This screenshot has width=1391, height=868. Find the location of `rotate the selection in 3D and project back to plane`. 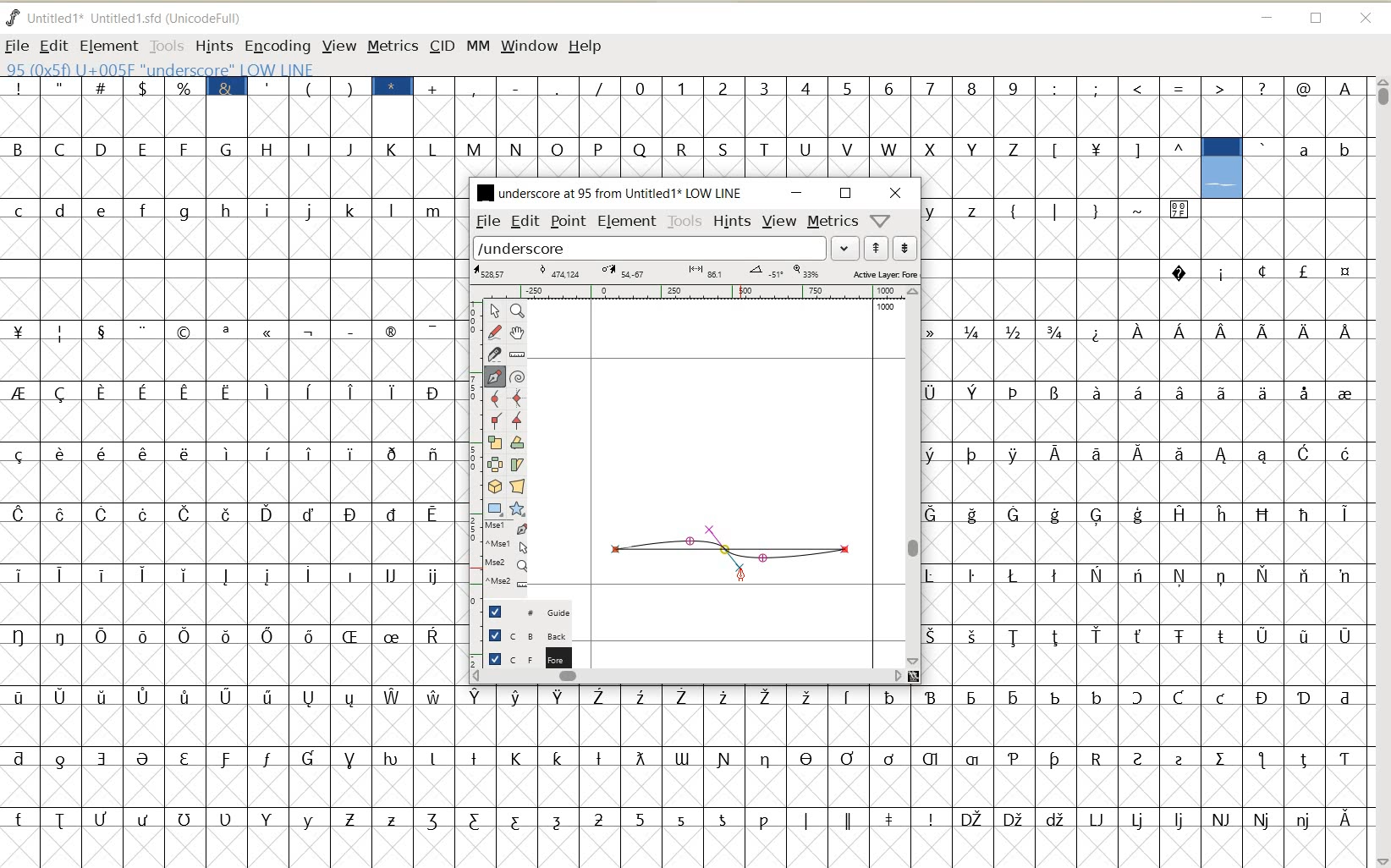

rotate the selection in 3D and project back to plane is located at coordinates (494, 486).